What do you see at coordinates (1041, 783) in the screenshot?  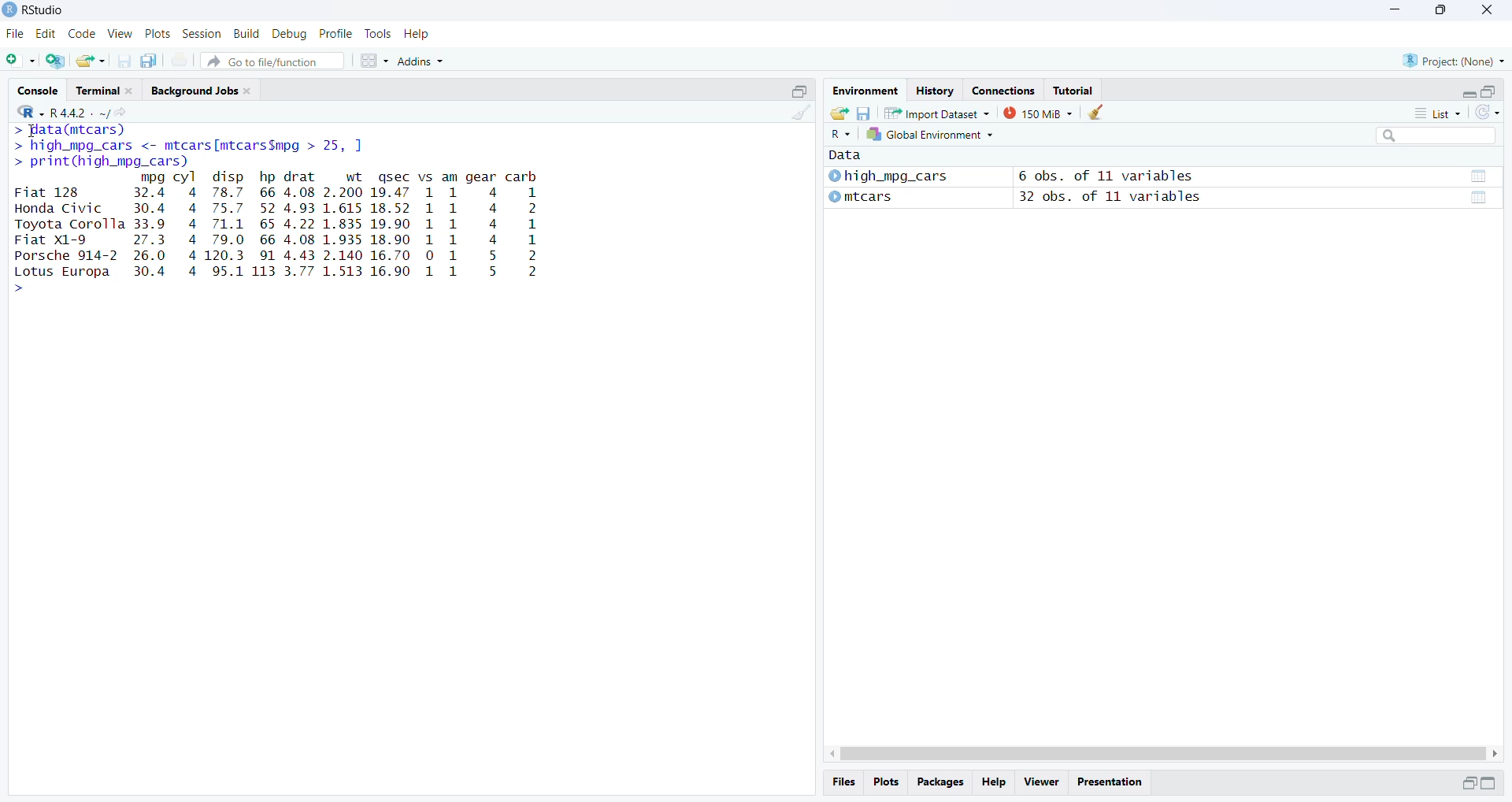 I see `Viewer` at bounding box center [1041, 783].